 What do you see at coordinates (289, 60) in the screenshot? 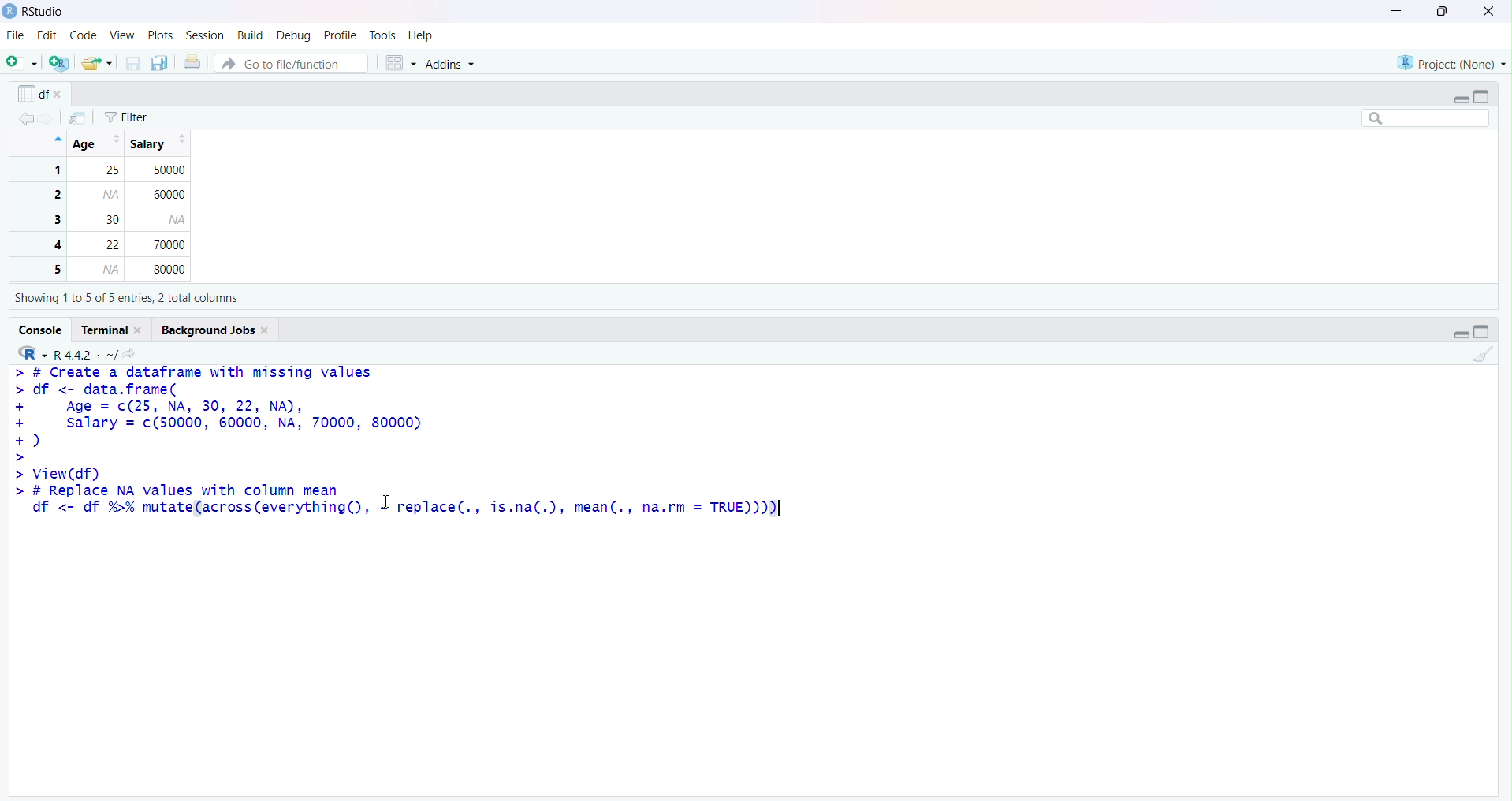
I see `` at bounding box center [289, 60].